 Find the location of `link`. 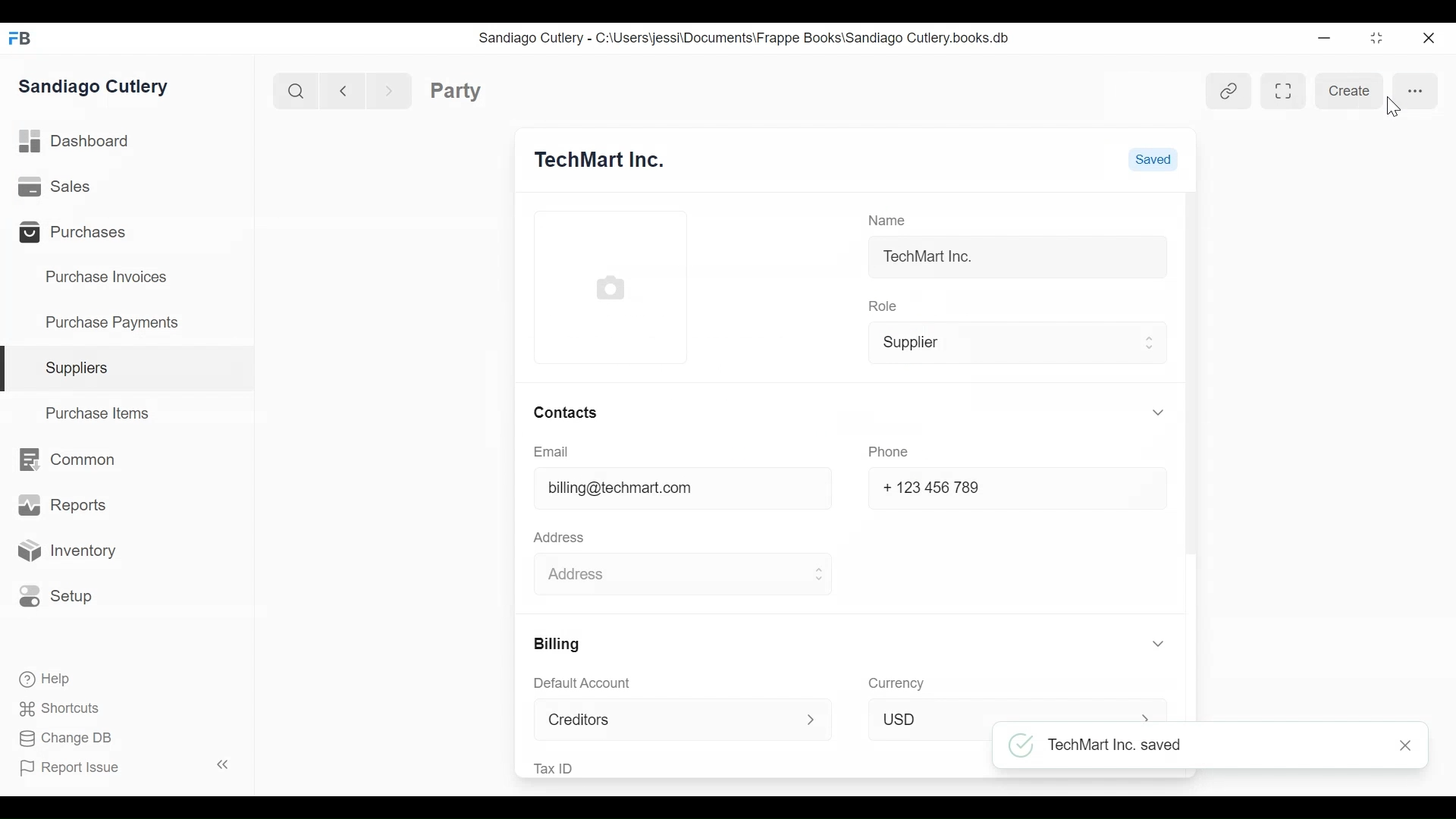

link is located at coordinates (1225, 91).